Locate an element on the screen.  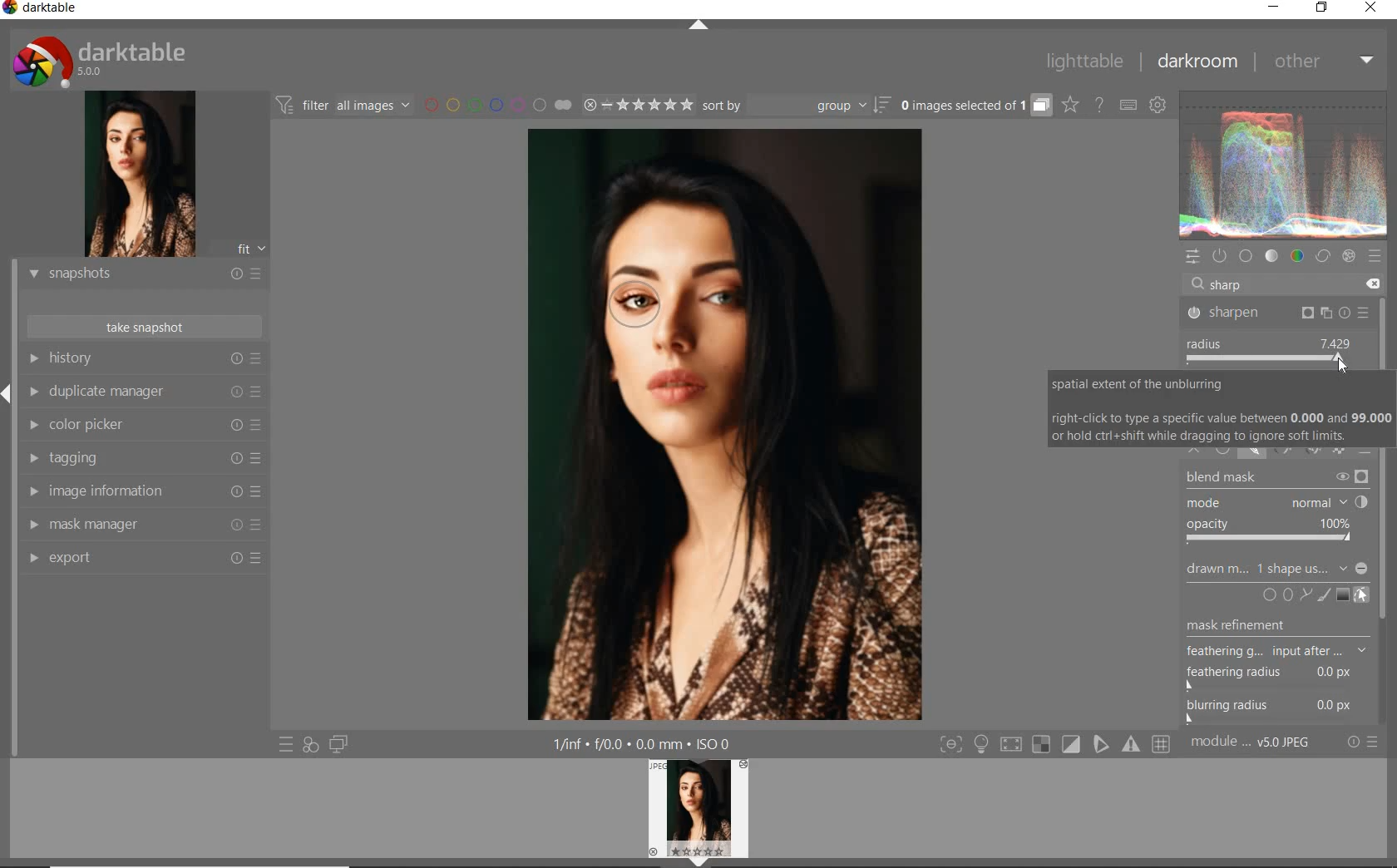
radius adjusted is located at coordinates (1272, 352).